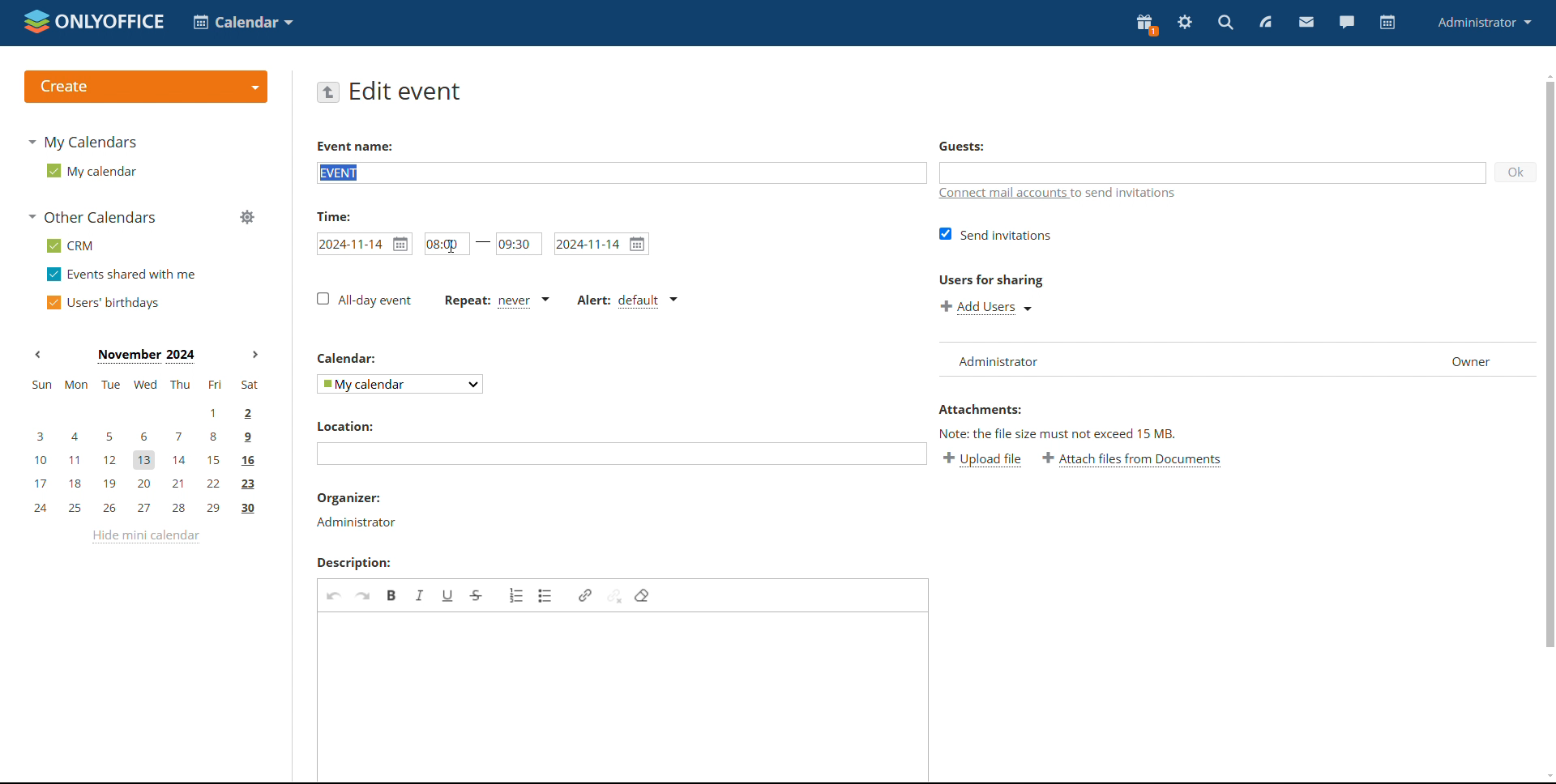 This screenshot has height=784, width=1556. Describe the element at coordinates (123, 275) in the screenshot. I see `events shared with me` at that location.